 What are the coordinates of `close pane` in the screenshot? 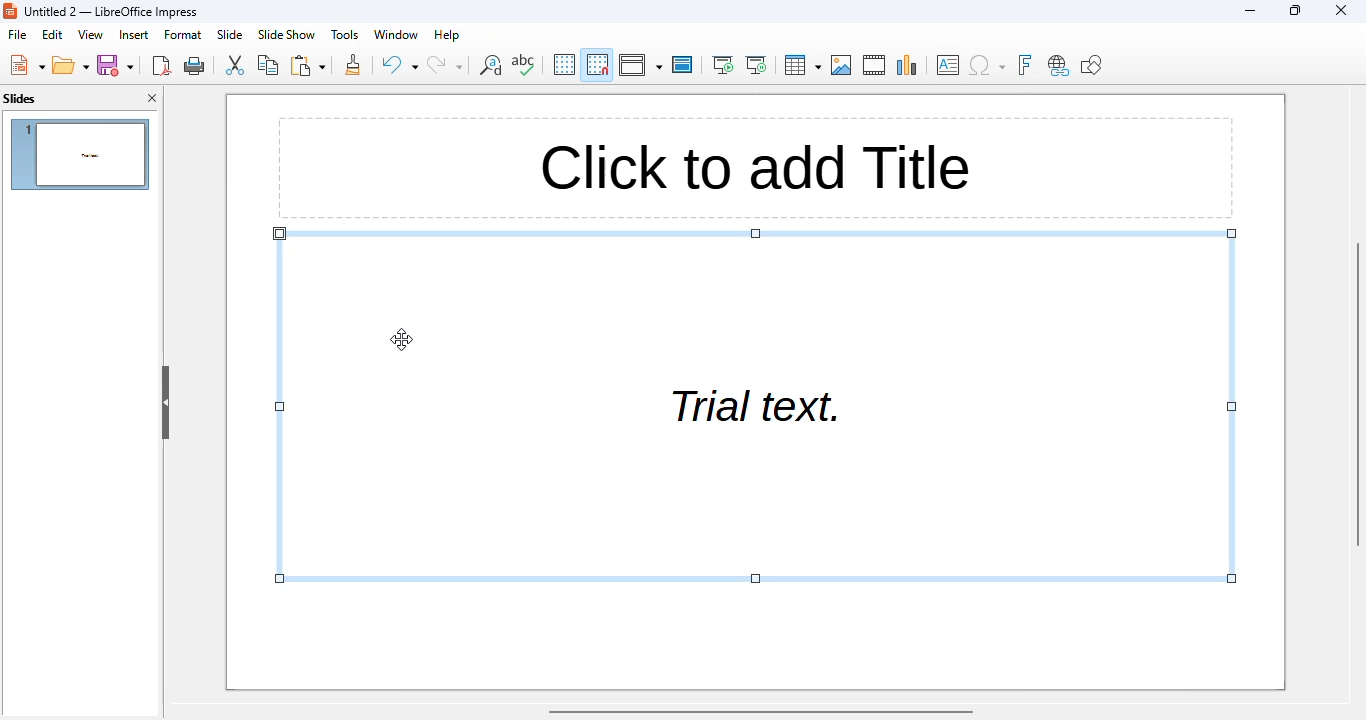 It's located at (152, 98).